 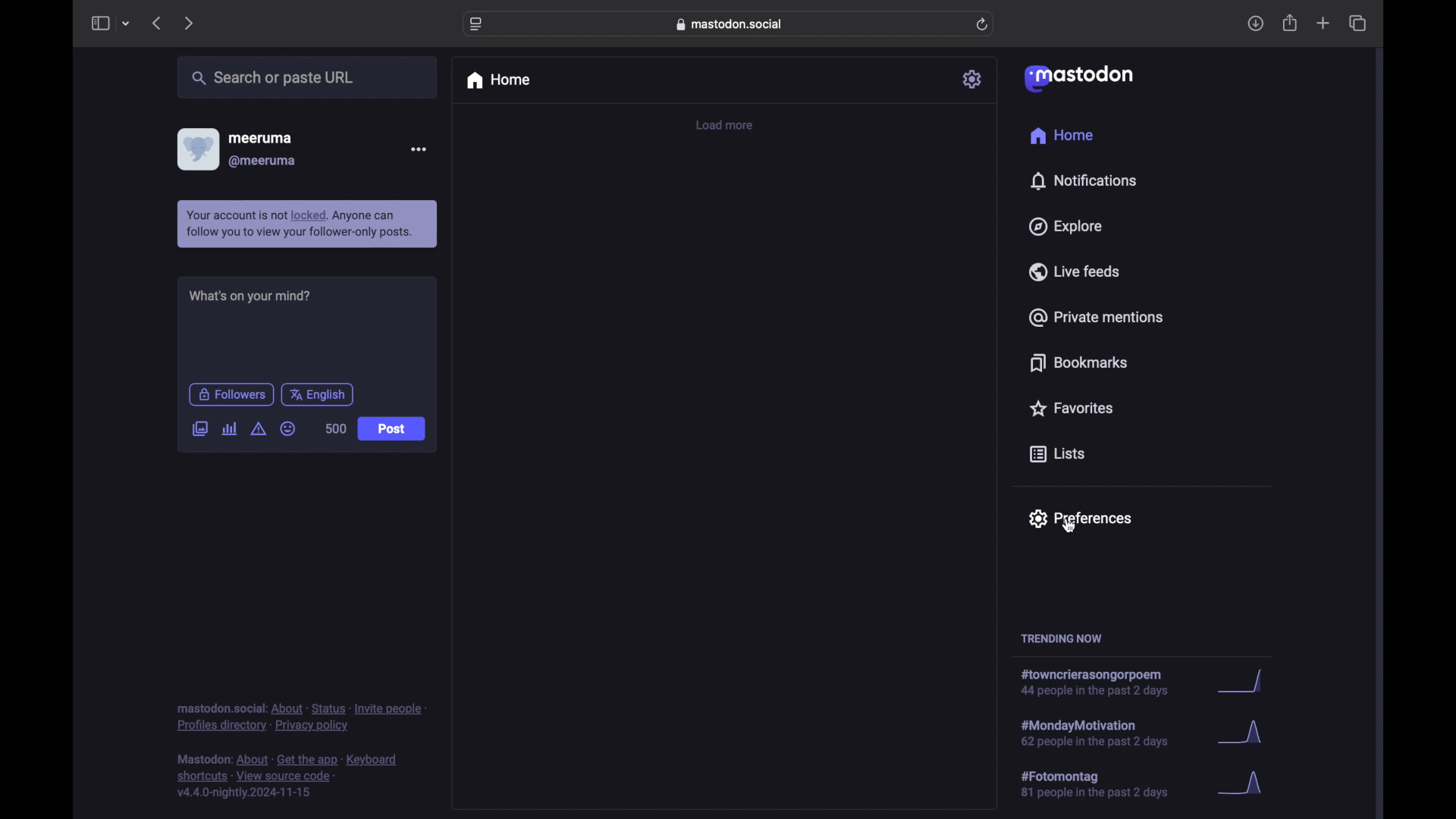 I want to click on lists, so click(x=1057, y=453).